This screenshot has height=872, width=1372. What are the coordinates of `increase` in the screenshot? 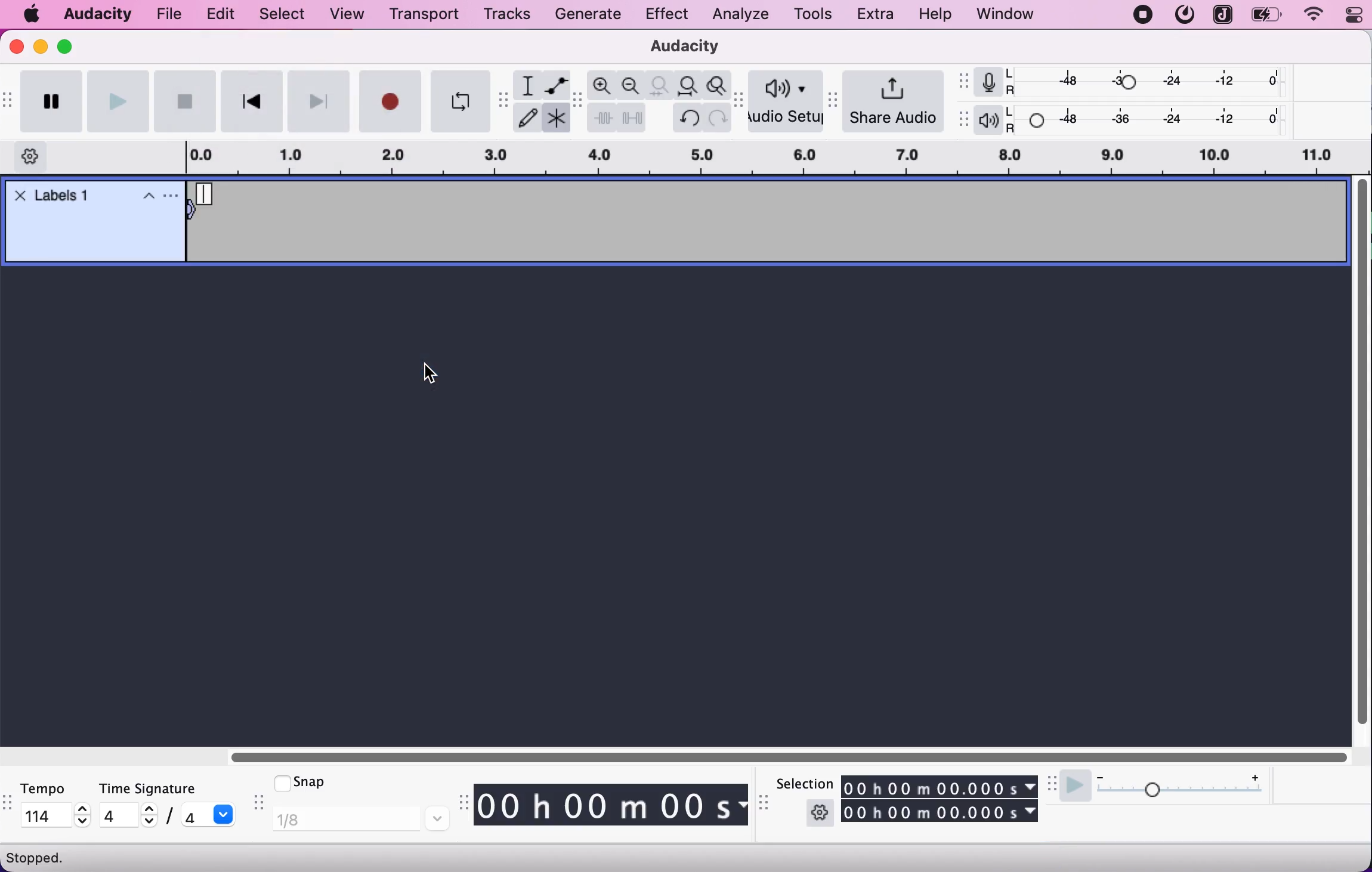 It's located at (148, 809).